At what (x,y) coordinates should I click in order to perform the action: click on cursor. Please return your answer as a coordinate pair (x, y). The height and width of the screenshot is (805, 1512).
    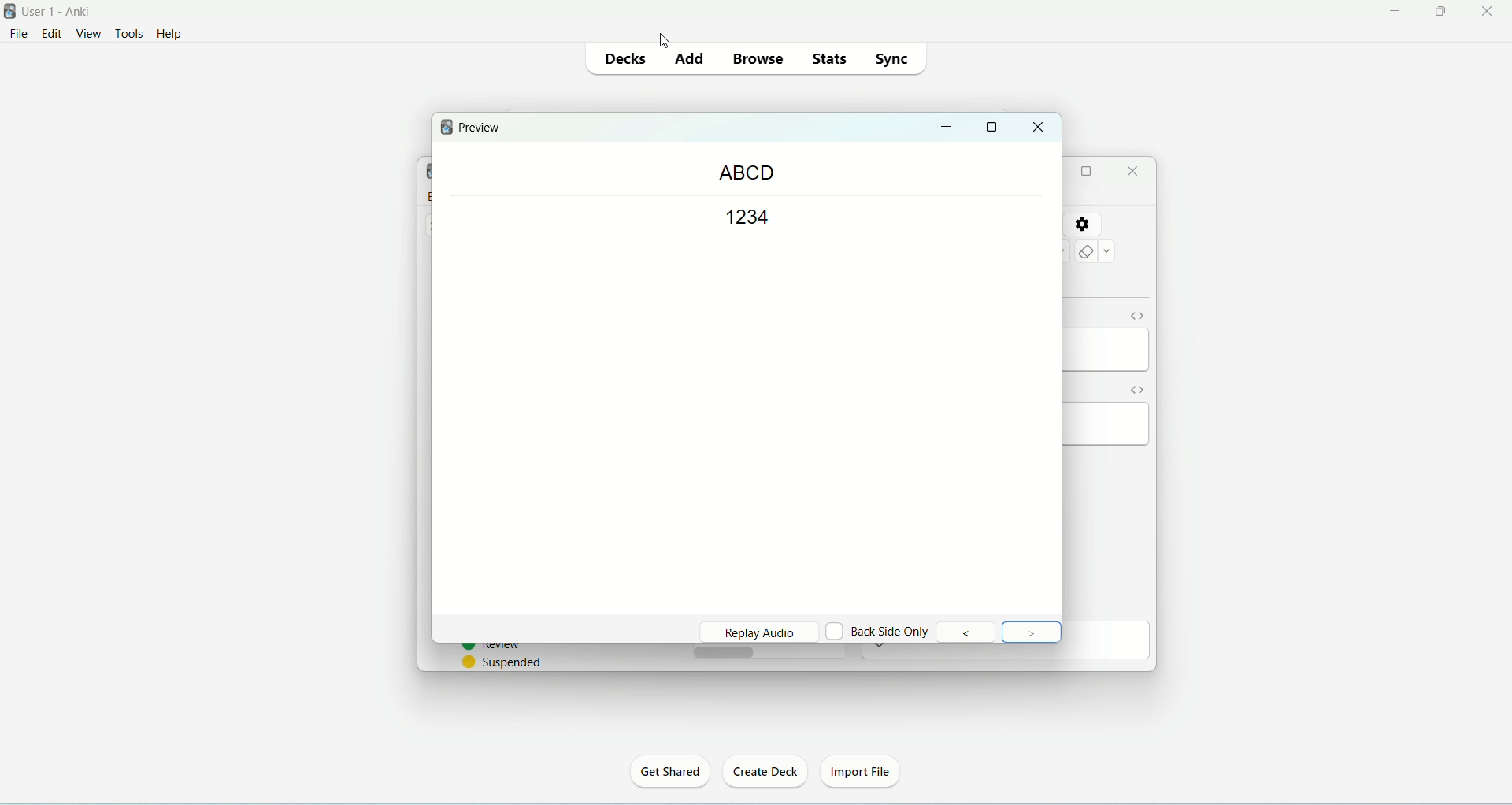
    Looking at the image, I should click on (665, 39).